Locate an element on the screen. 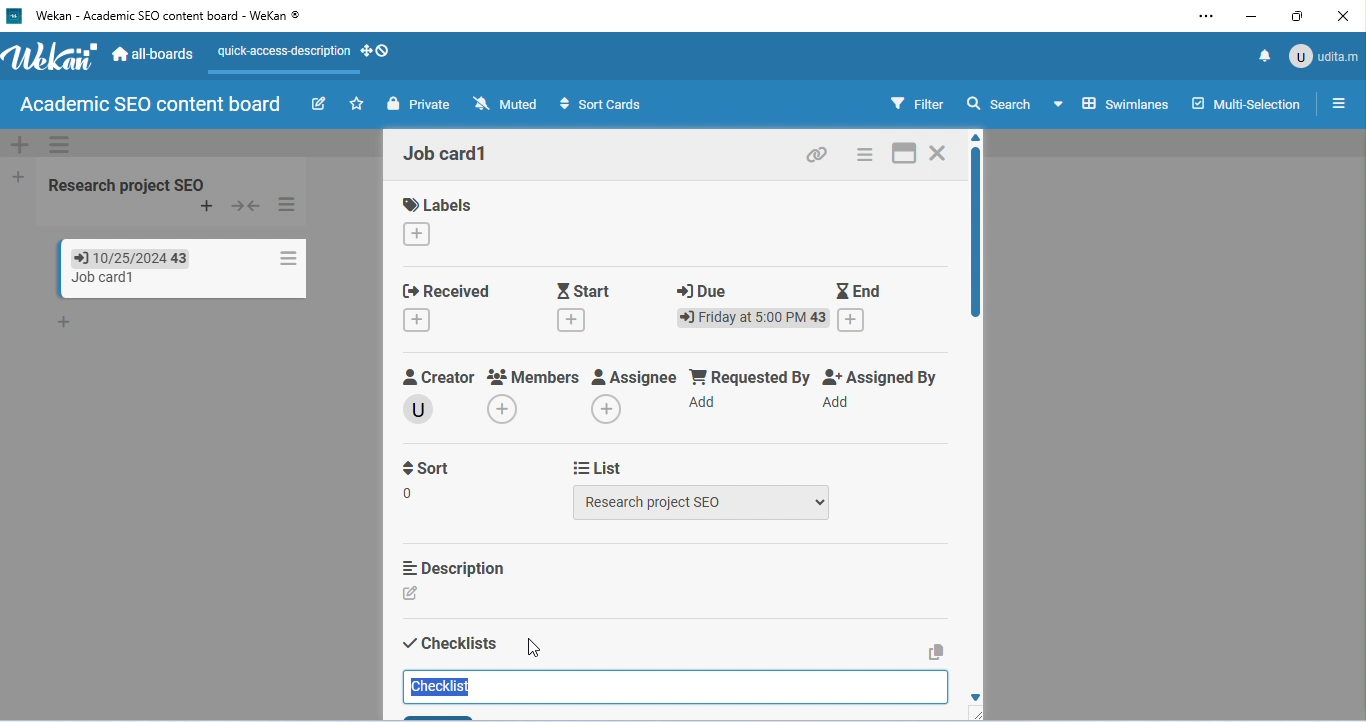 This screenshot has height=722, width=1366. add description is located at coordinates (414, 594).